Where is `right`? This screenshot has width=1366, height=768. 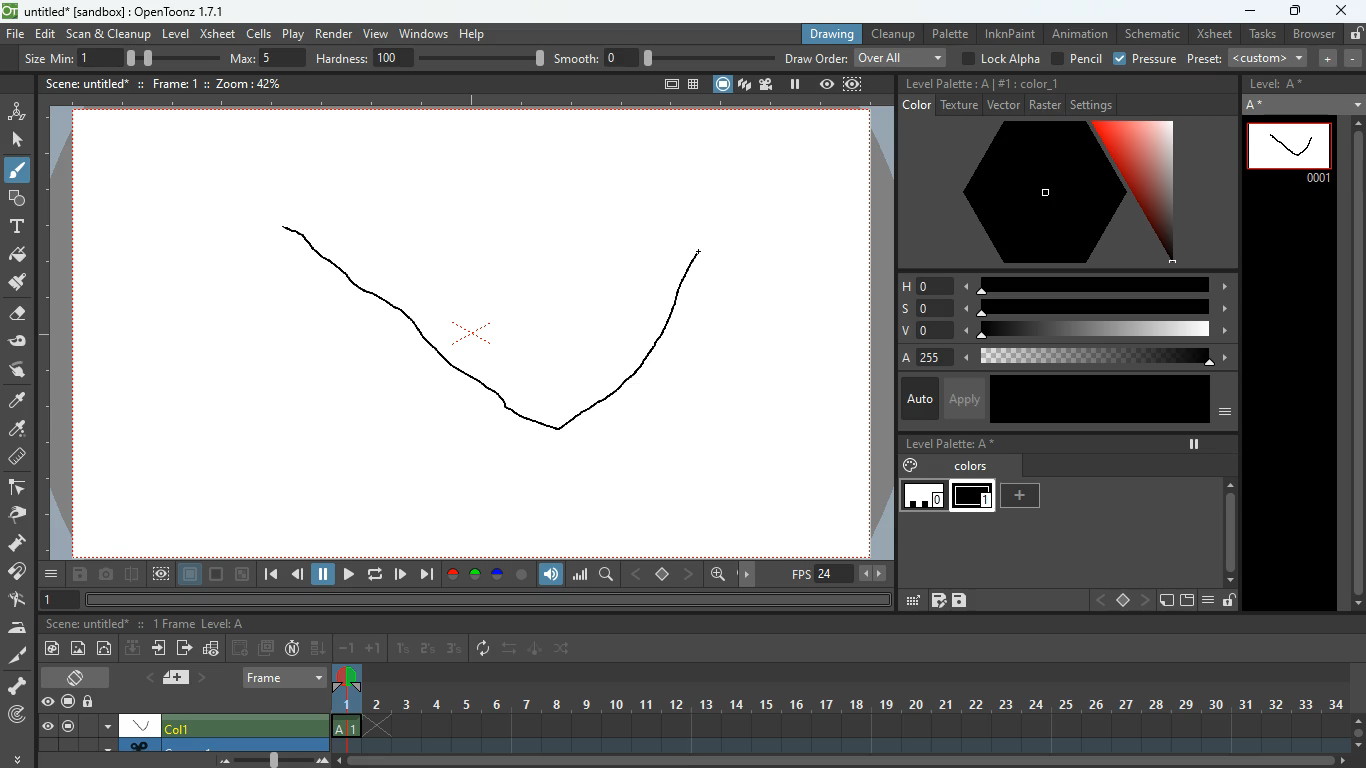
right is located at coordinates (690, 574).